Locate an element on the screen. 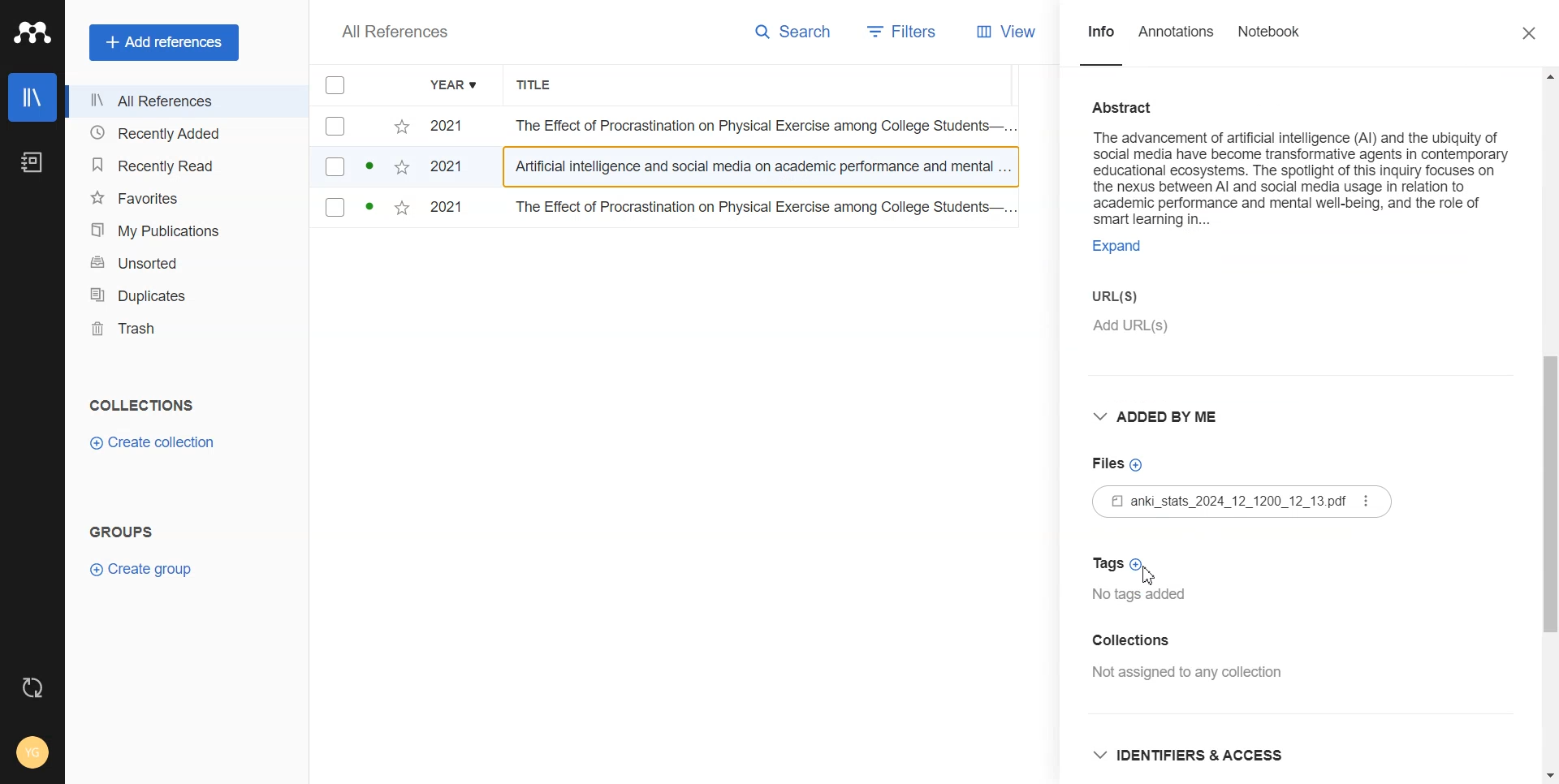 Image resolution: width=1559 pixels, height=784 pixels. Create collection is located at coordinates (152, 443).